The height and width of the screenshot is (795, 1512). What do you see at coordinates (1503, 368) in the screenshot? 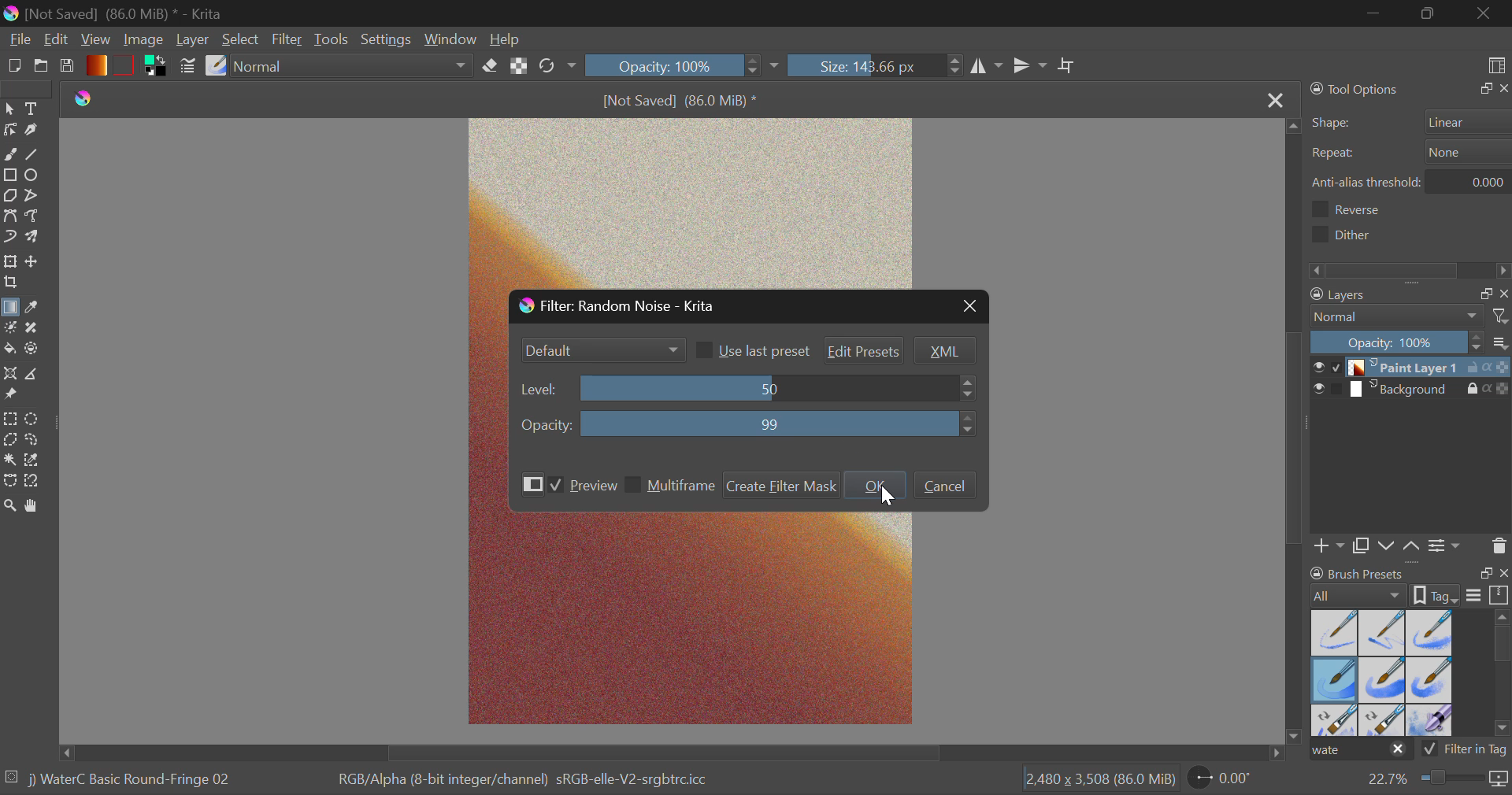
I see `color scale` at bounding box center [1503, 368].